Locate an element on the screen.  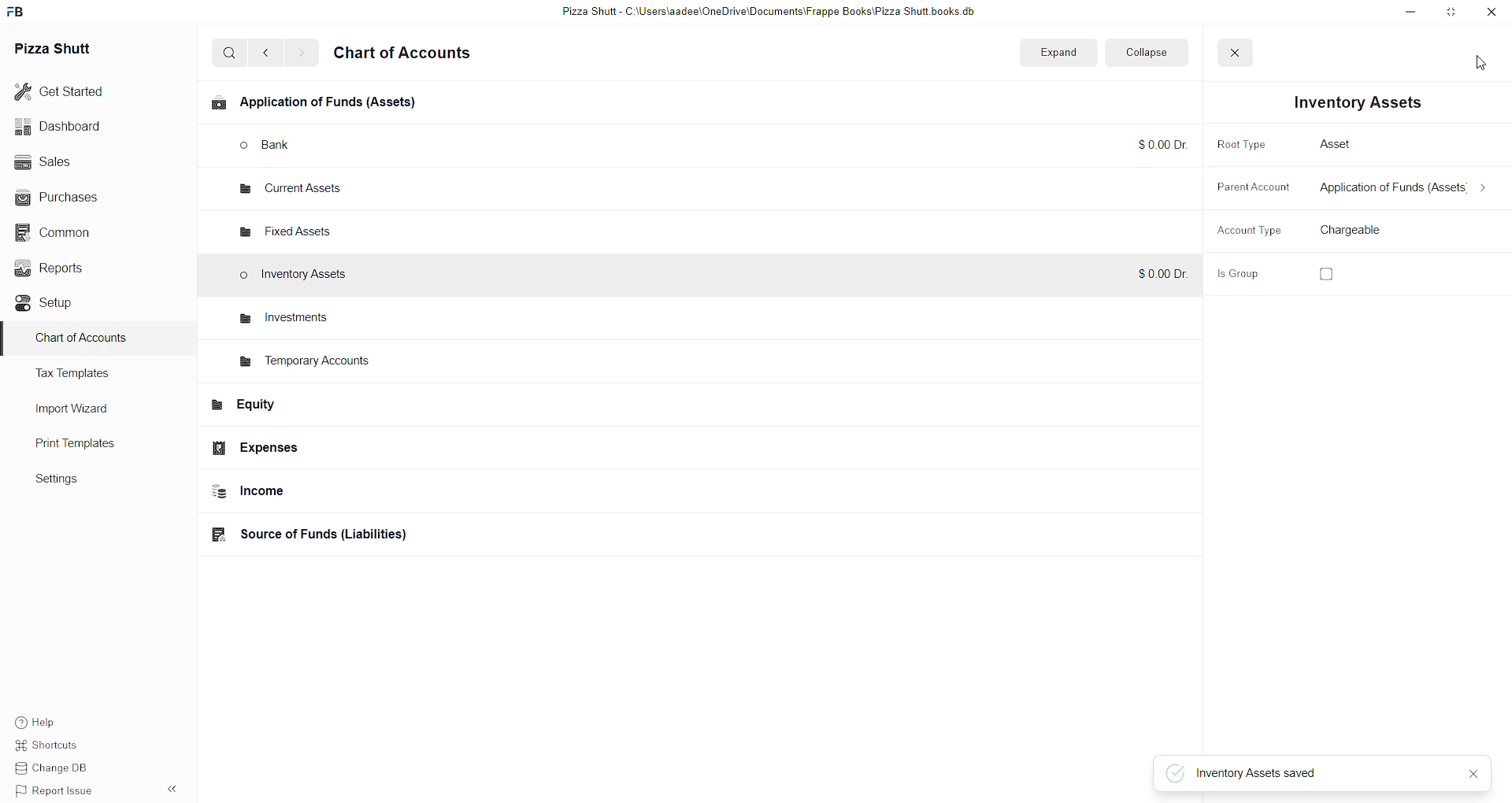
Expenses  is located at coordinates (315, 448).